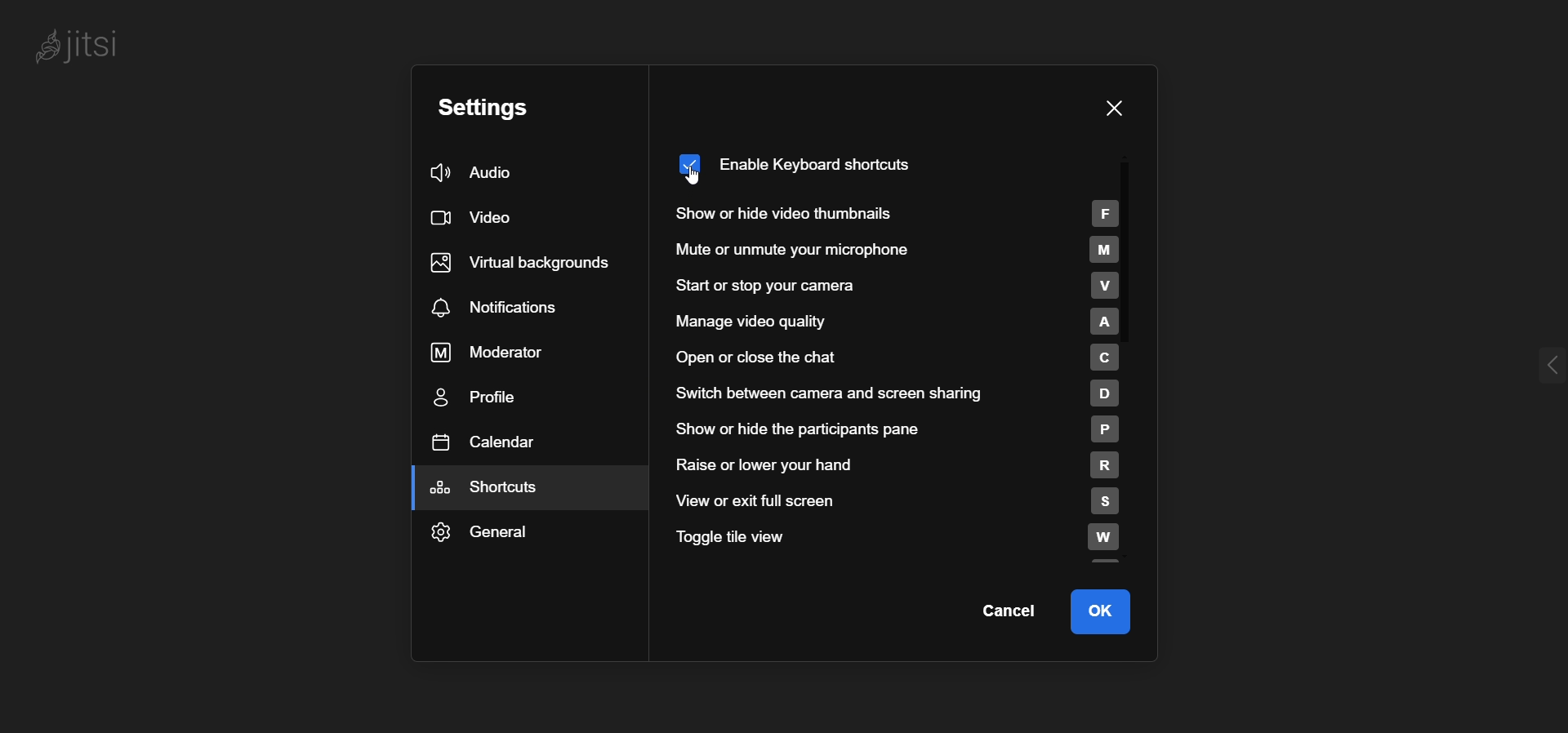 The width and height of the screenshot is (1568, 733). What do you see at coordinates (1530, 367) in the screenshot?
I see `expand` at bounding box center [1530, 367].